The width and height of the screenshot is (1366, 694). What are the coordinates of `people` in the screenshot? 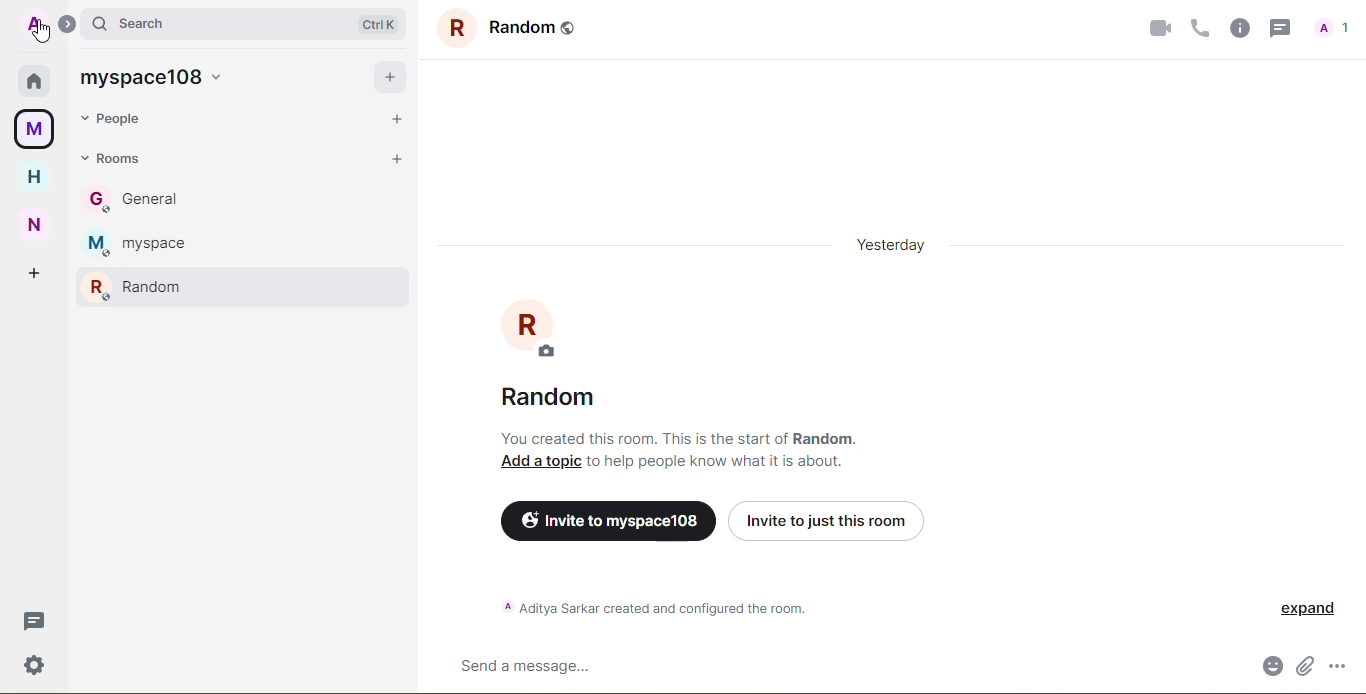 It's located at (116, 120).